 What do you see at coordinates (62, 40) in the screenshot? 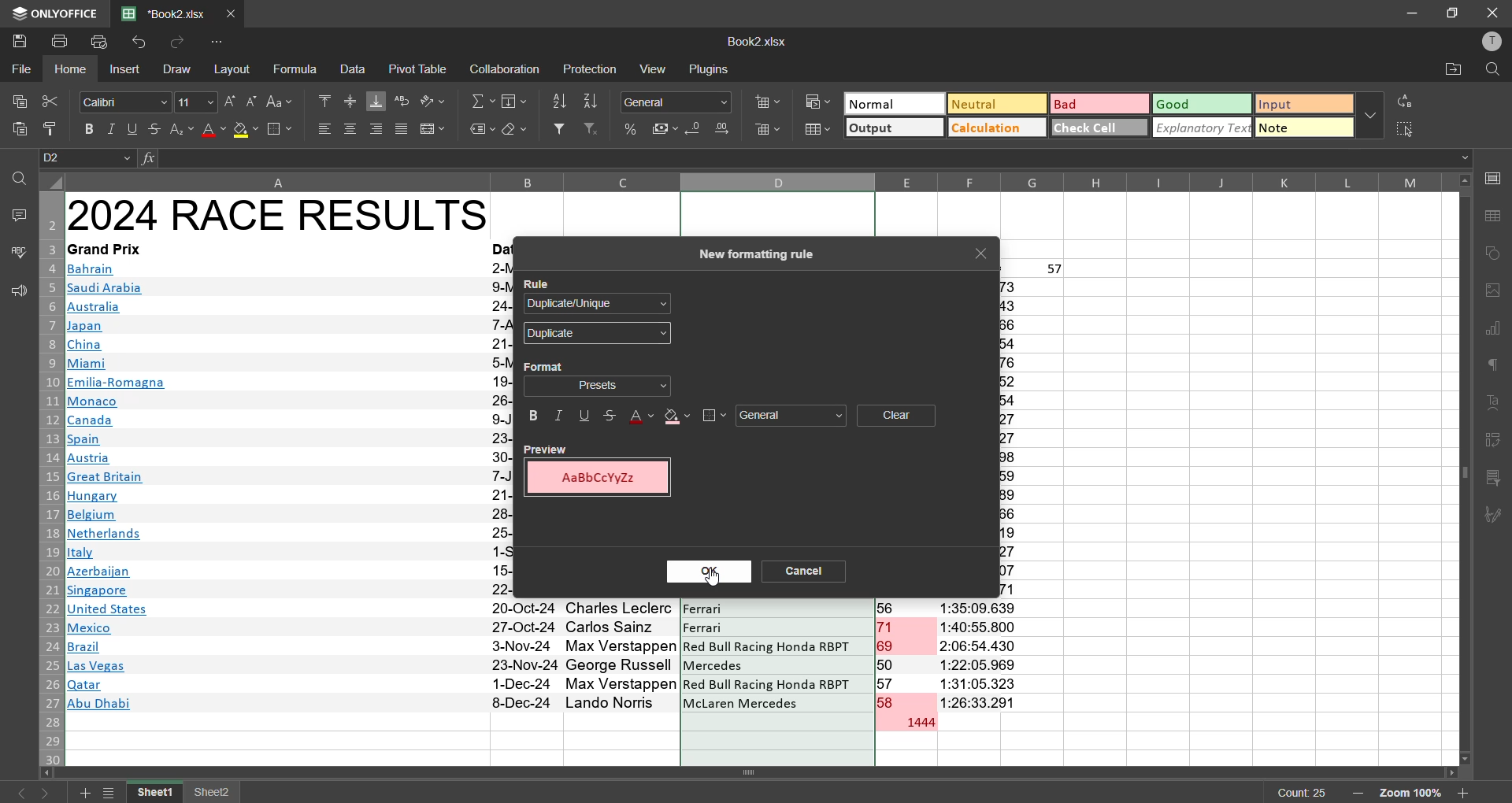
I see `print` at bounding box center [62, 40].